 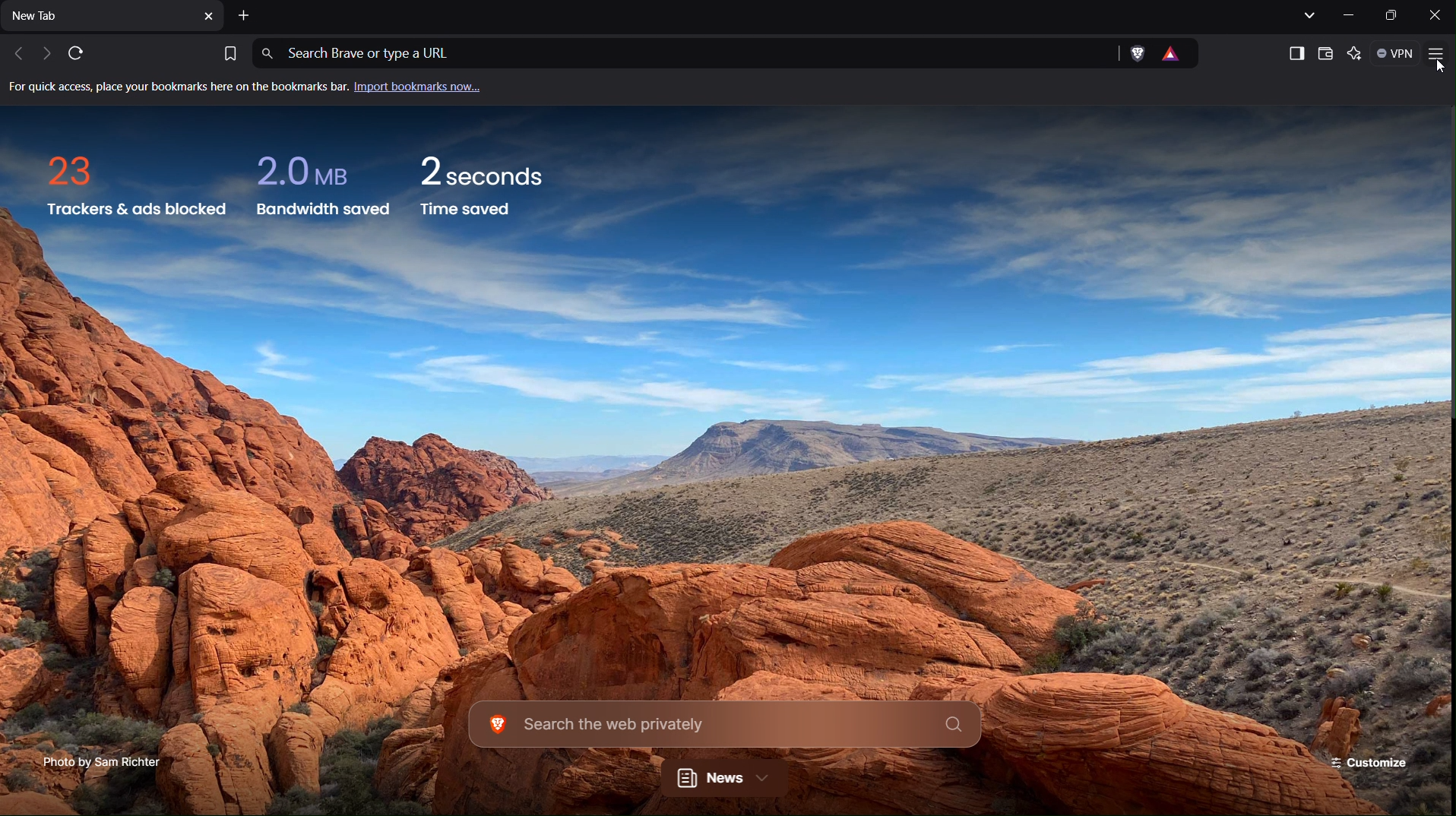 I want to click on Bookmark, so click(x=227, y=55).